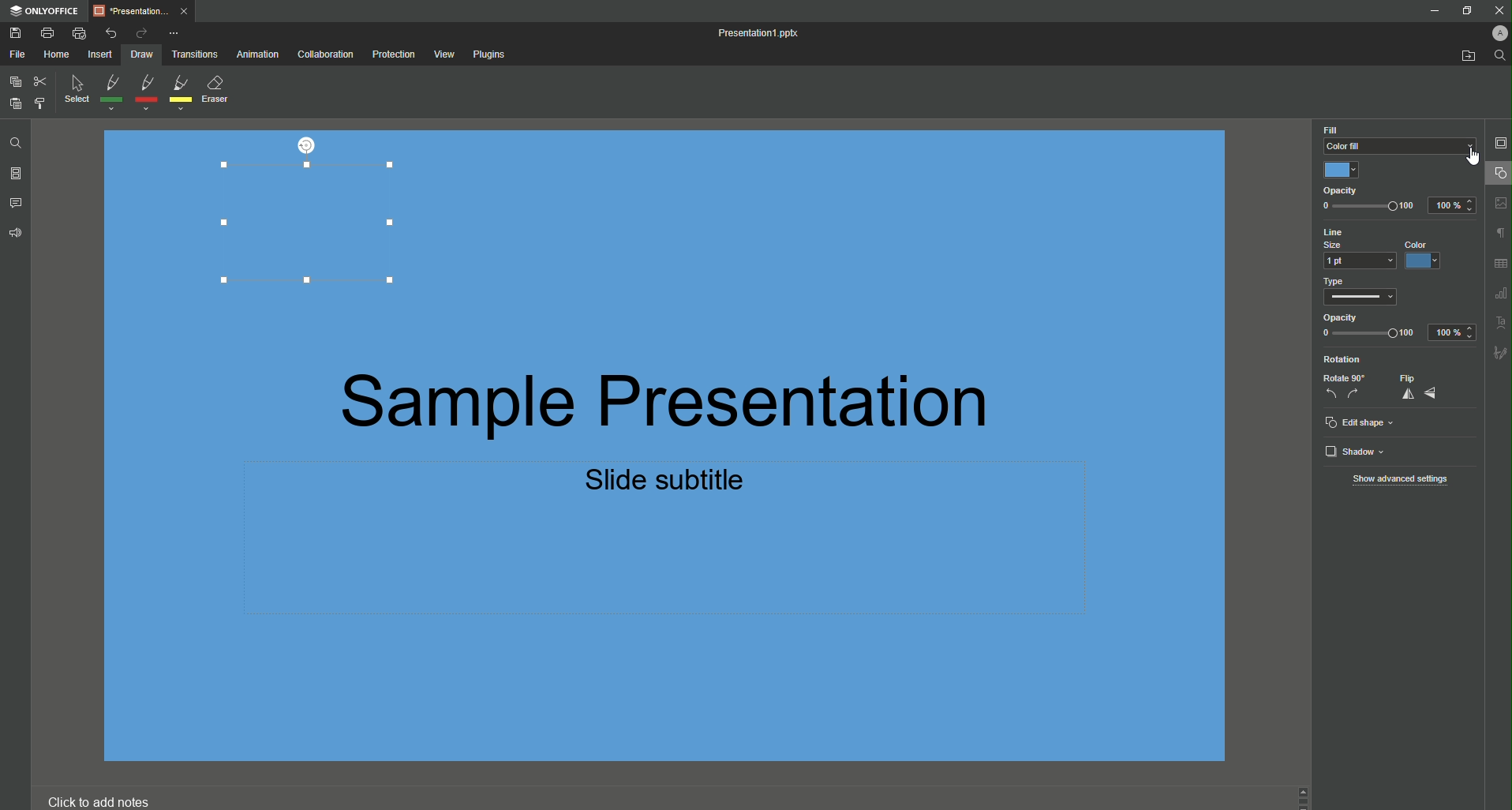  I want to click on Line, so click(1336, 232).